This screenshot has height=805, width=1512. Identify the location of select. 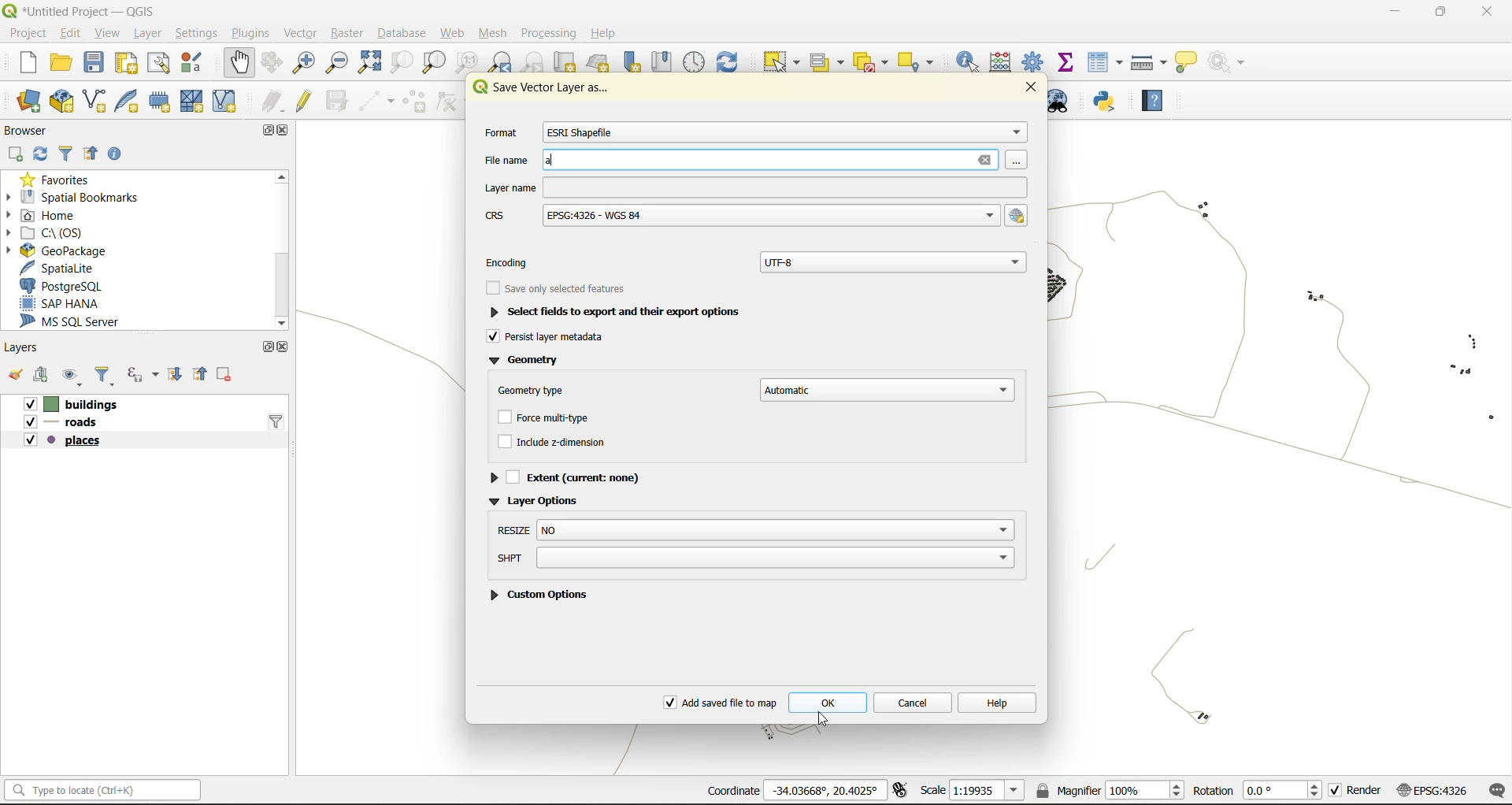
(784, 62).